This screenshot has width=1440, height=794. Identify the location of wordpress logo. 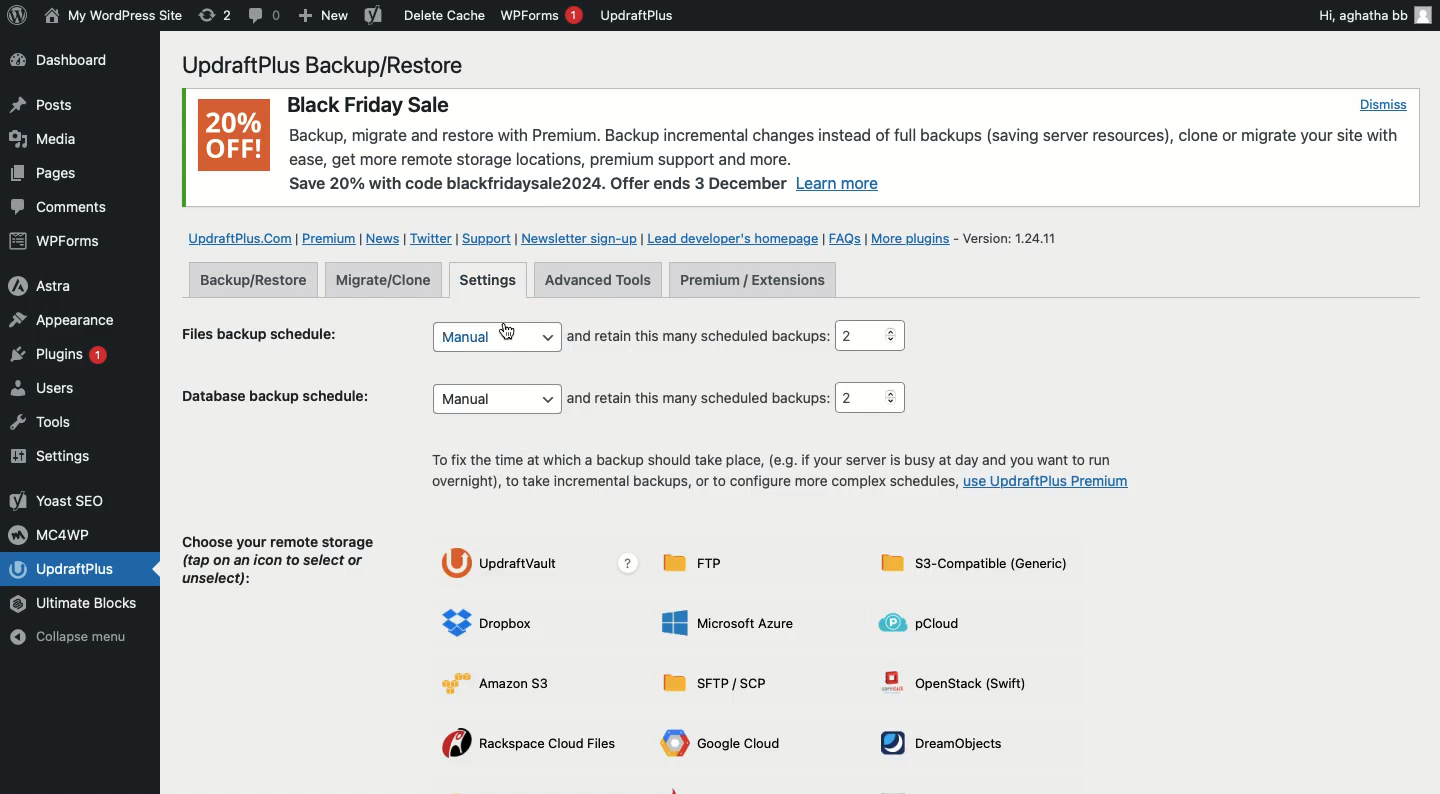
(17, 15).